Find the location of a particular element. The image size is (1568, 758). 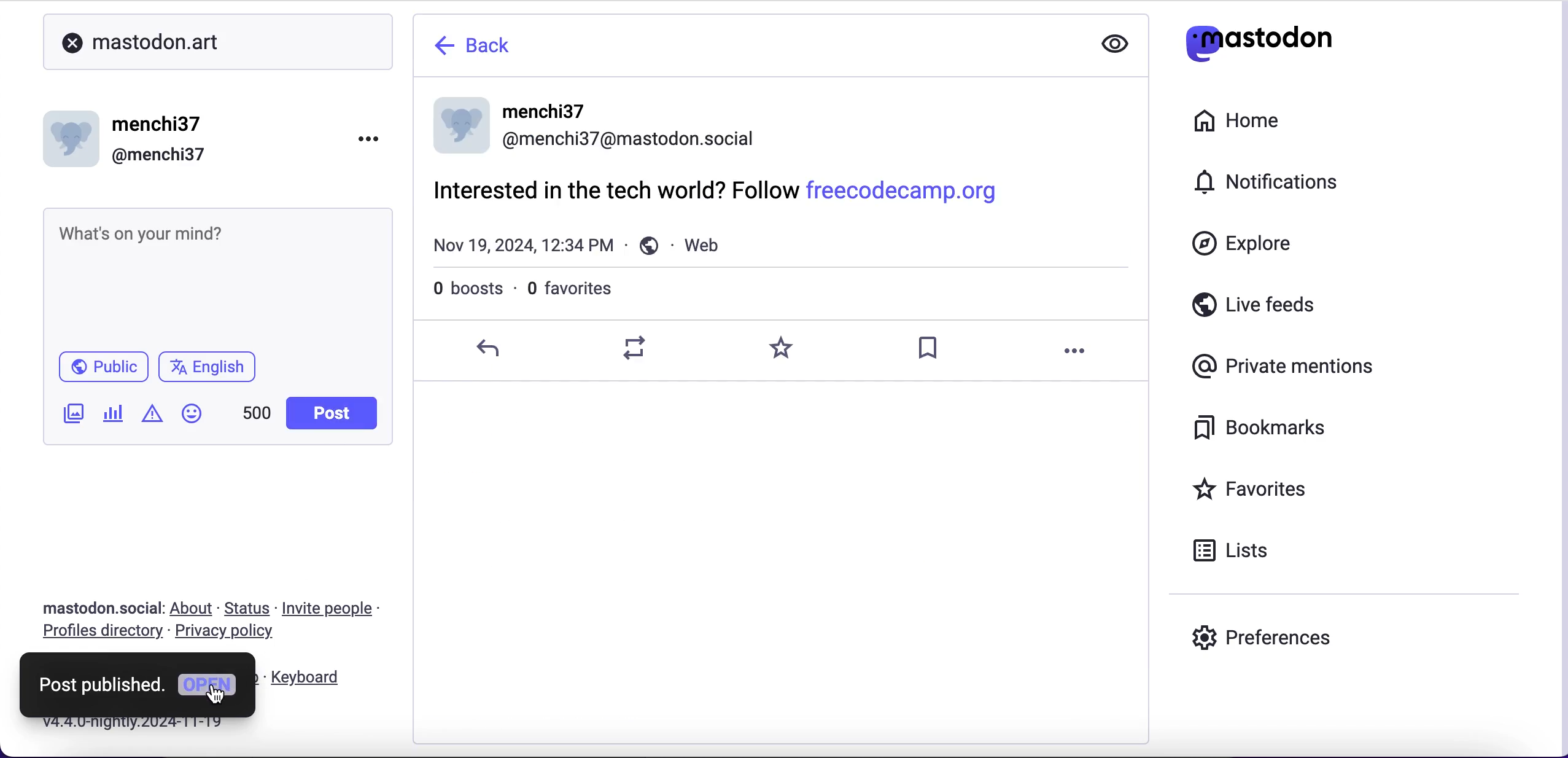

save is located at coordinates (931, 350).